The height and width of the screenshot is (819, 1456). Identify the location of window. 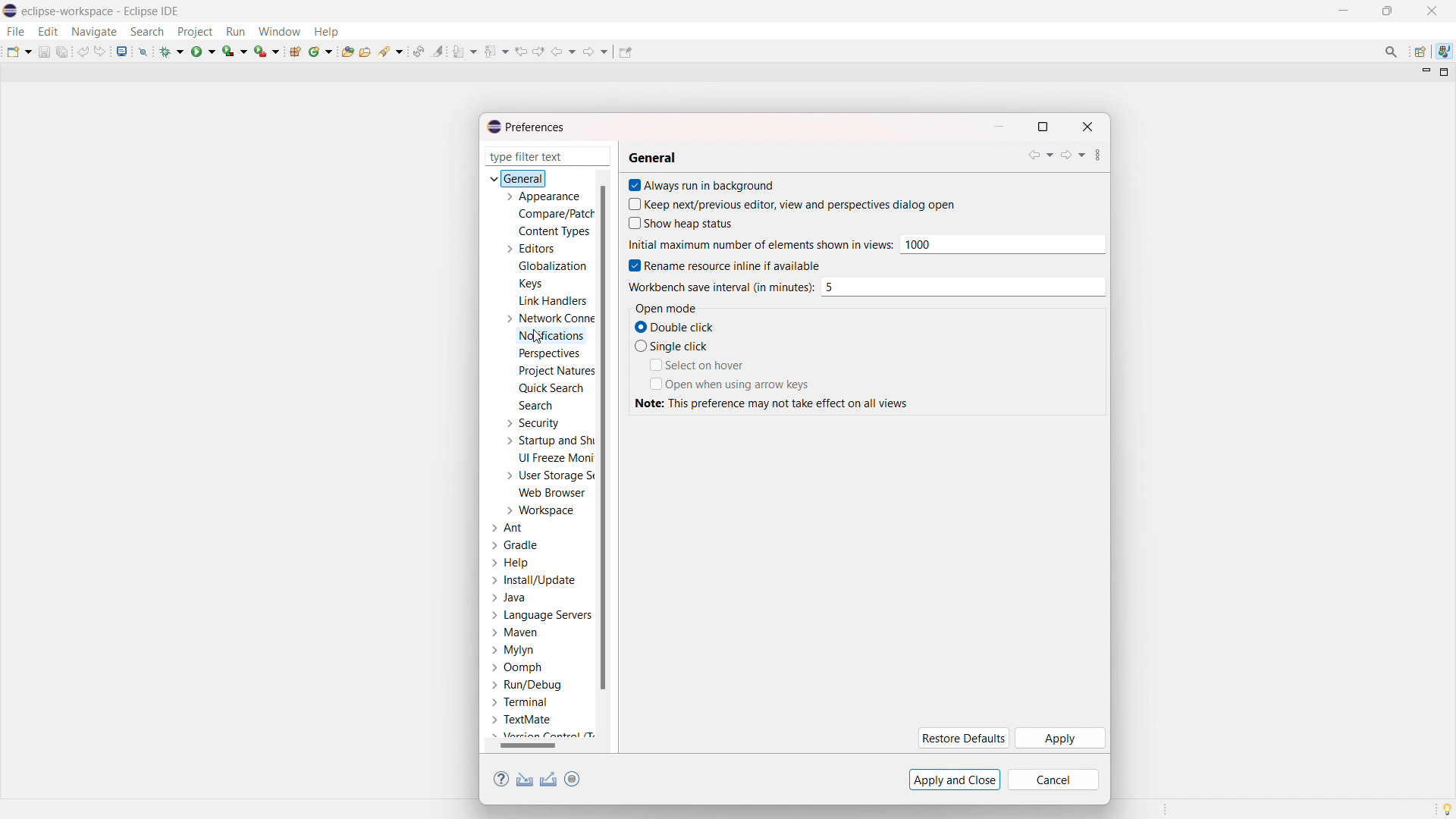
(279, 31).